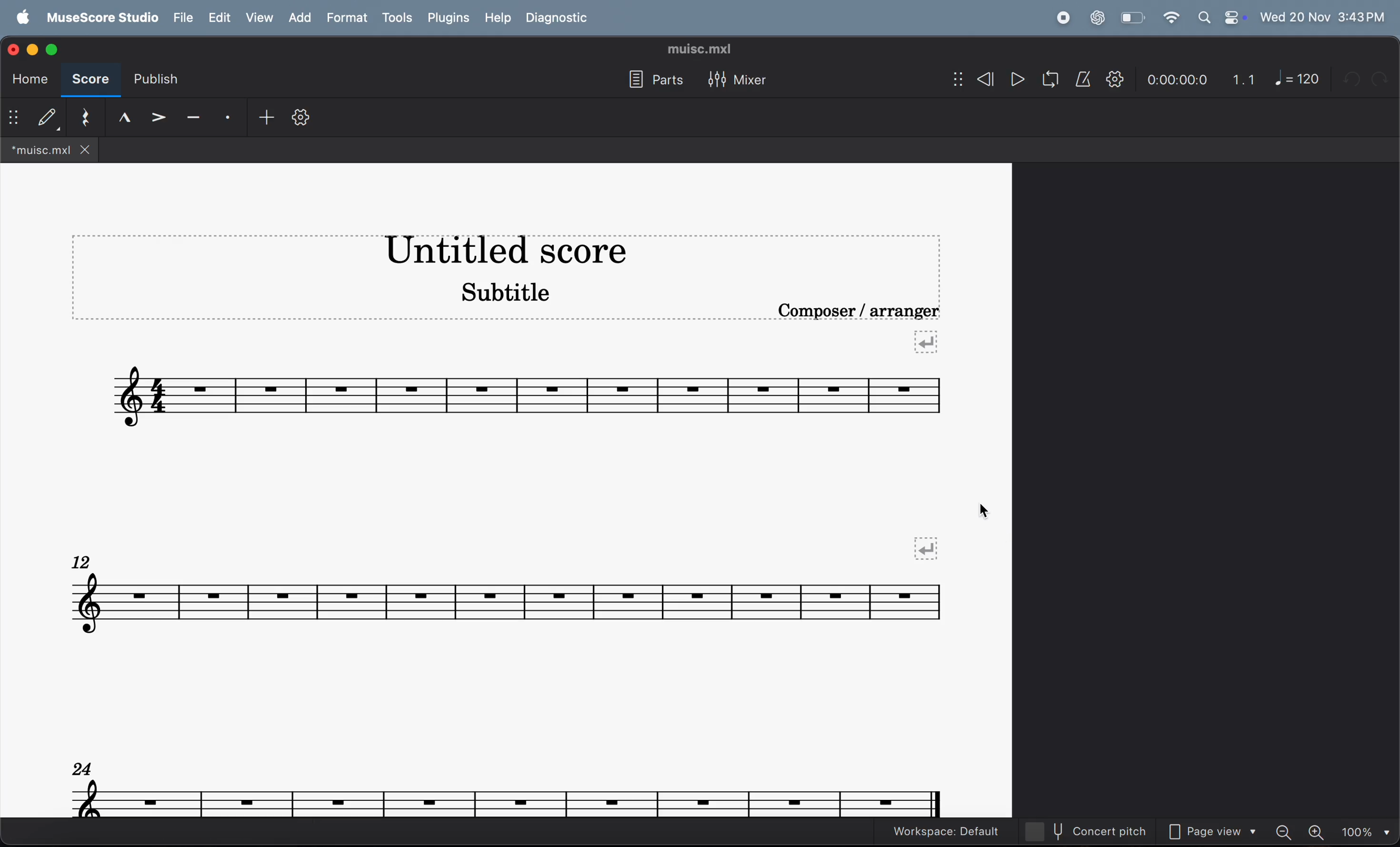 This screenshot has width=1400, height=847. I want to click on apple widgets, so click(1219, 18).